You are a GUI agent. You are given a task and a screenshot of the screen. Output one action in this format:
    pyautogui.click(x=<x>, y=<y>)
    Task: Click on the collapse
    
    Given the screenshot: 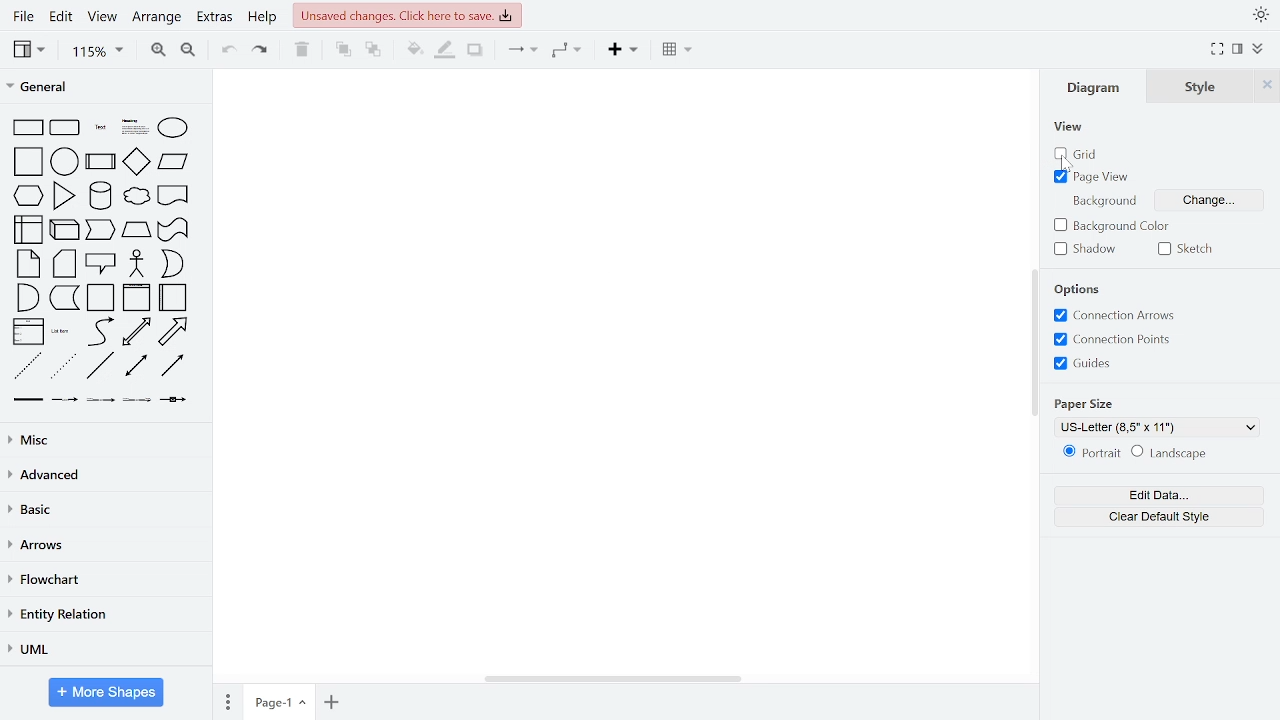 What is the action you would take?
    pyautogui.click(x=1258, y=49)
    